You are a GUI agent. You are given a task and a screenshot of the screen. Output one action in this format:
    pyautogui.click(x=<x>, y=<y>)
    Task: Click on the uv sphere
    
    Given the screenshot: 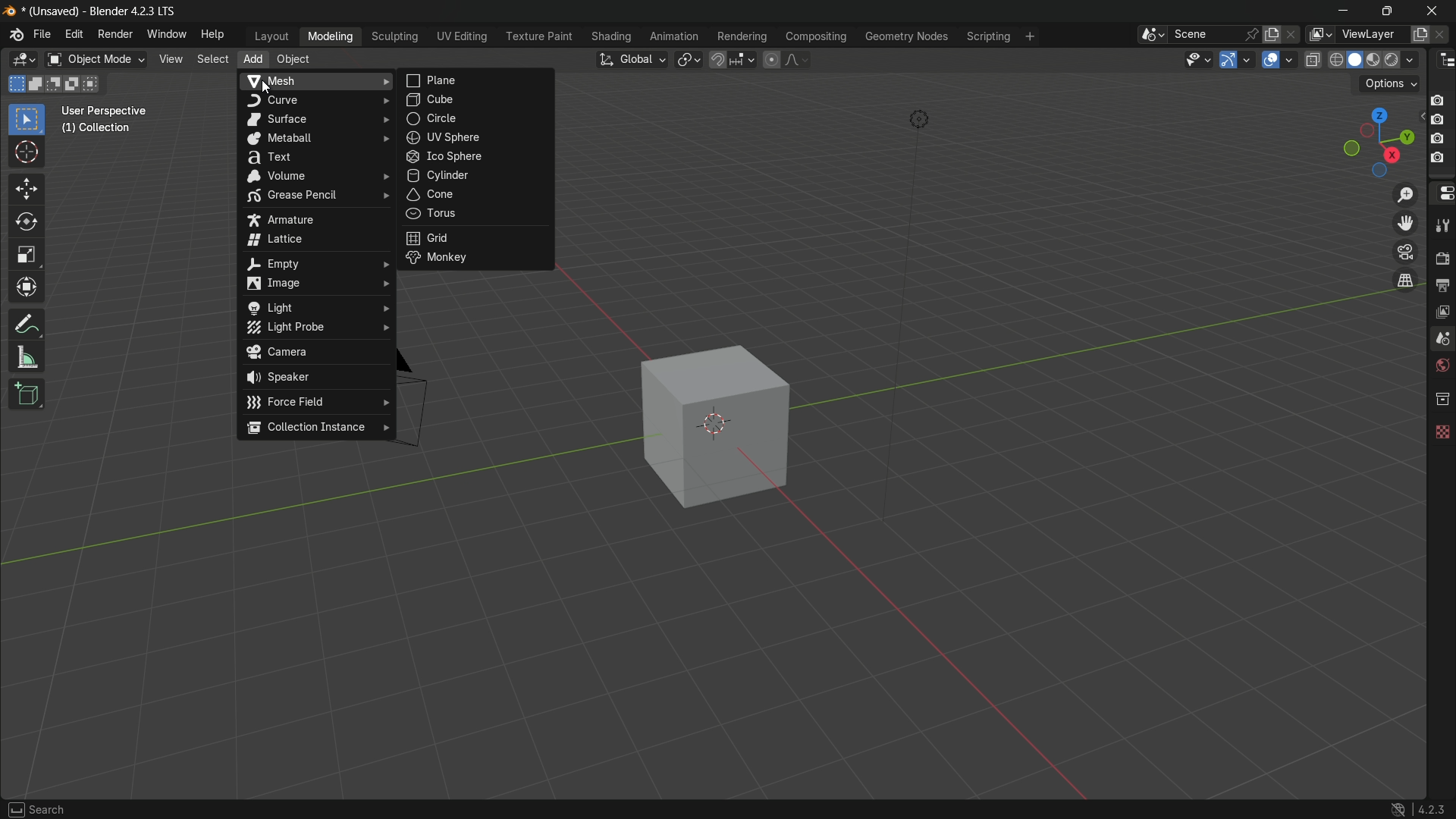 What is the action you would take?
    pyautogui.click(x=475, y=141)
    